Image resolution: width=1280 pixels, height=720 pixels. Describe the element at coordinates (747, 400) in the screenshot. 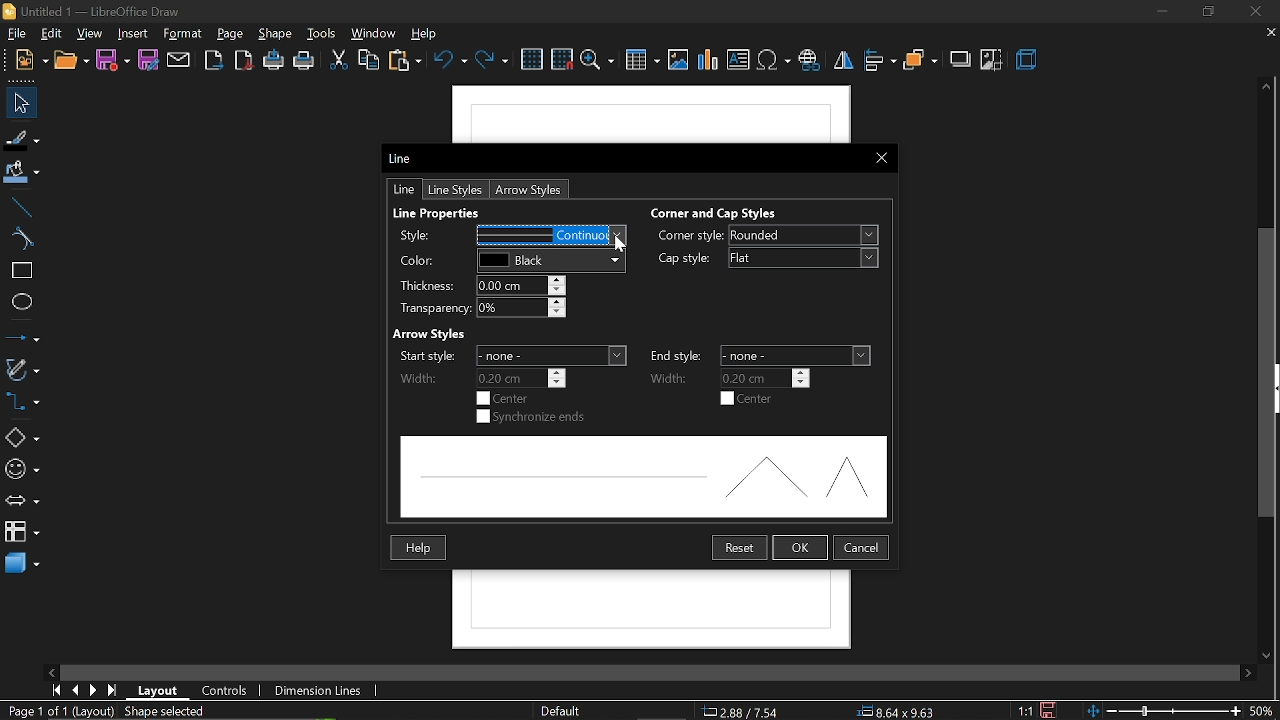

I see `end center` at that location.